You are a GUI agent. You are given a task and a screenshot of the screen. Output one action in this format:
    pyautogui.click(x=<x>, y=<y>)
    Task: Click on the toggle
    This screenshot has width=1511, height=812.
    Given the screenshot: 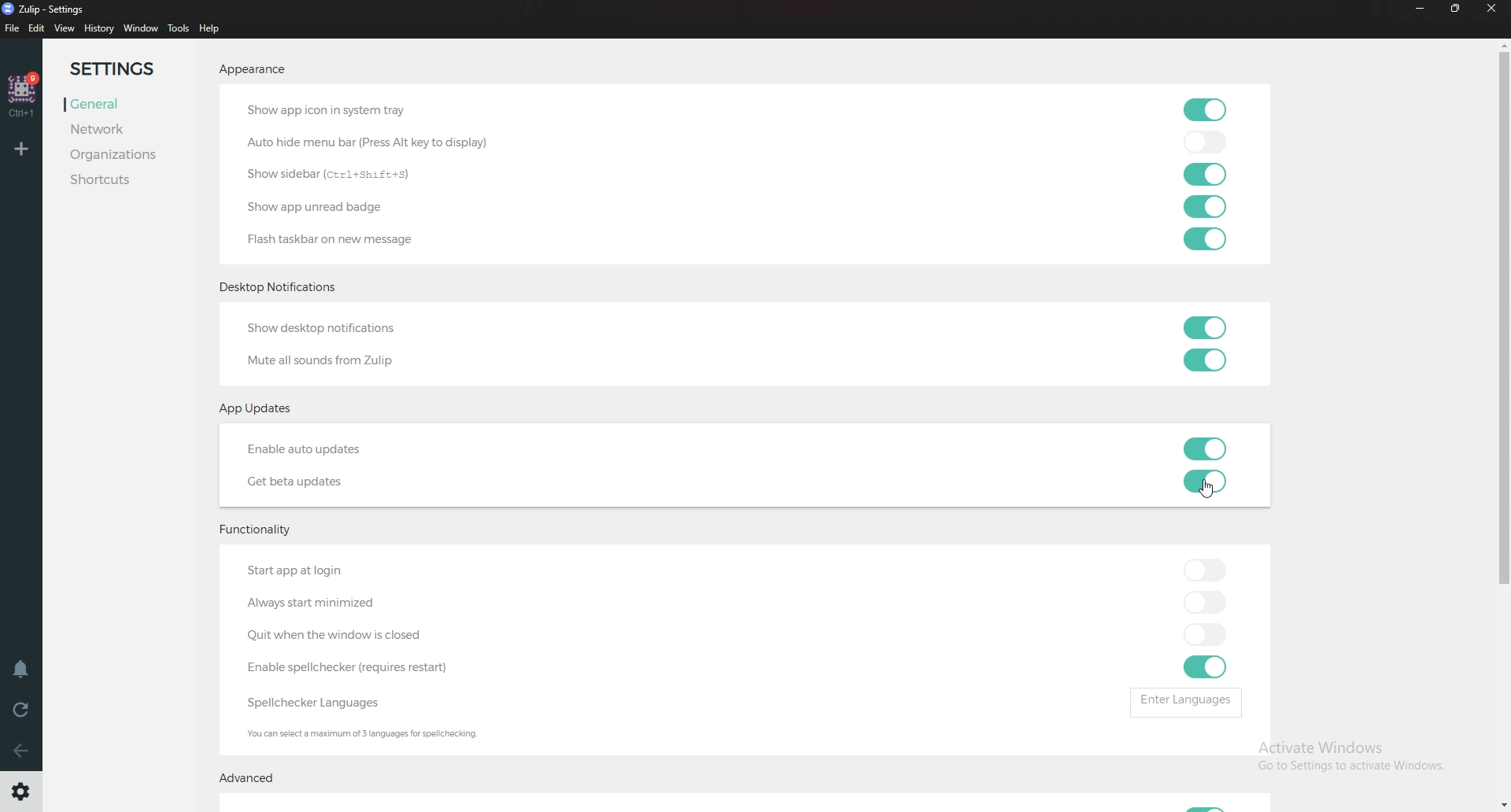 What is the action you would take?
    pyautogui.click(x=1203, y=667)
    